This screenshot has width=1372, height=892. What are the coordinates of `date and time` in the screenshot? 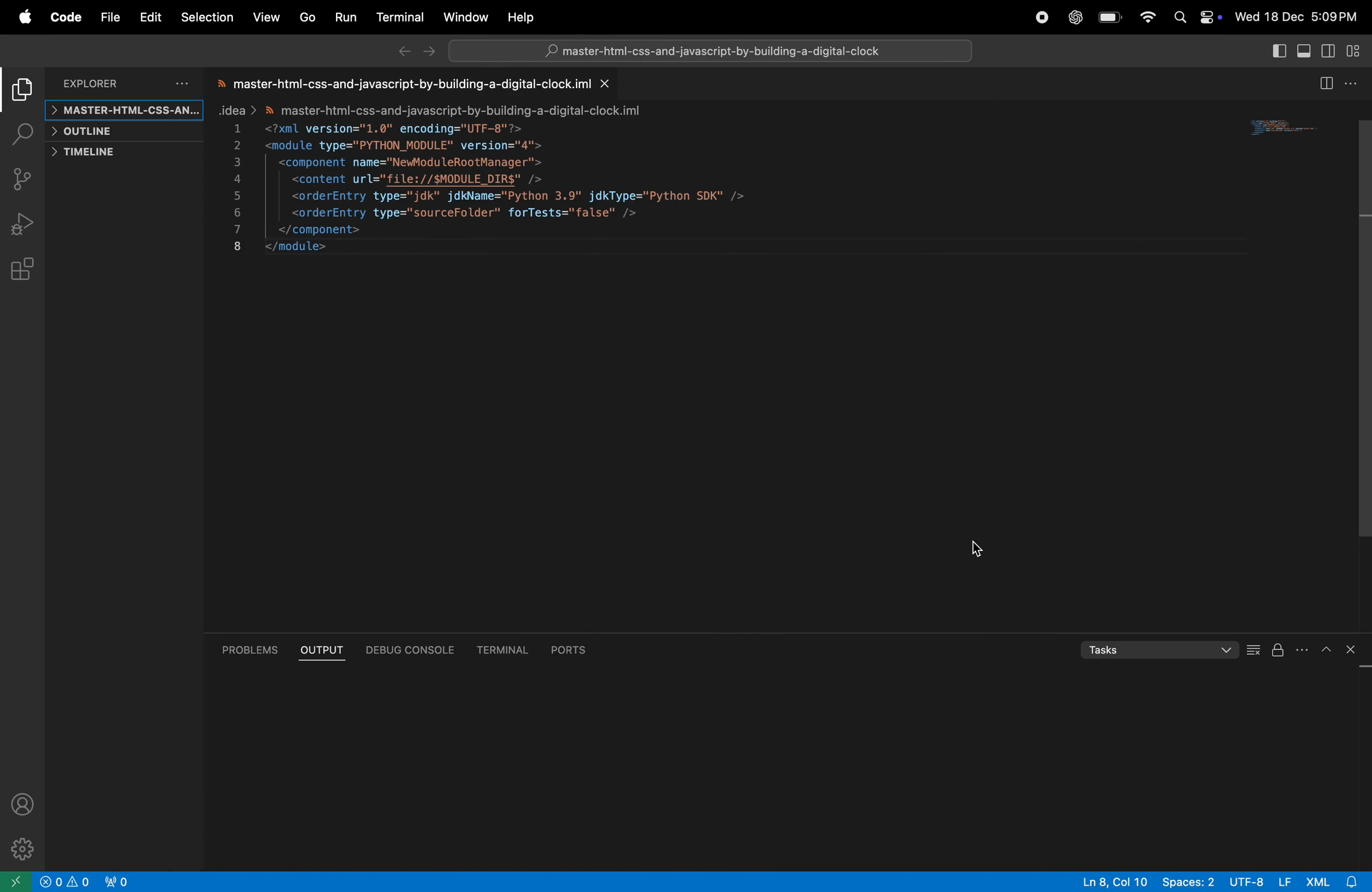 It's located at (1297, 18).